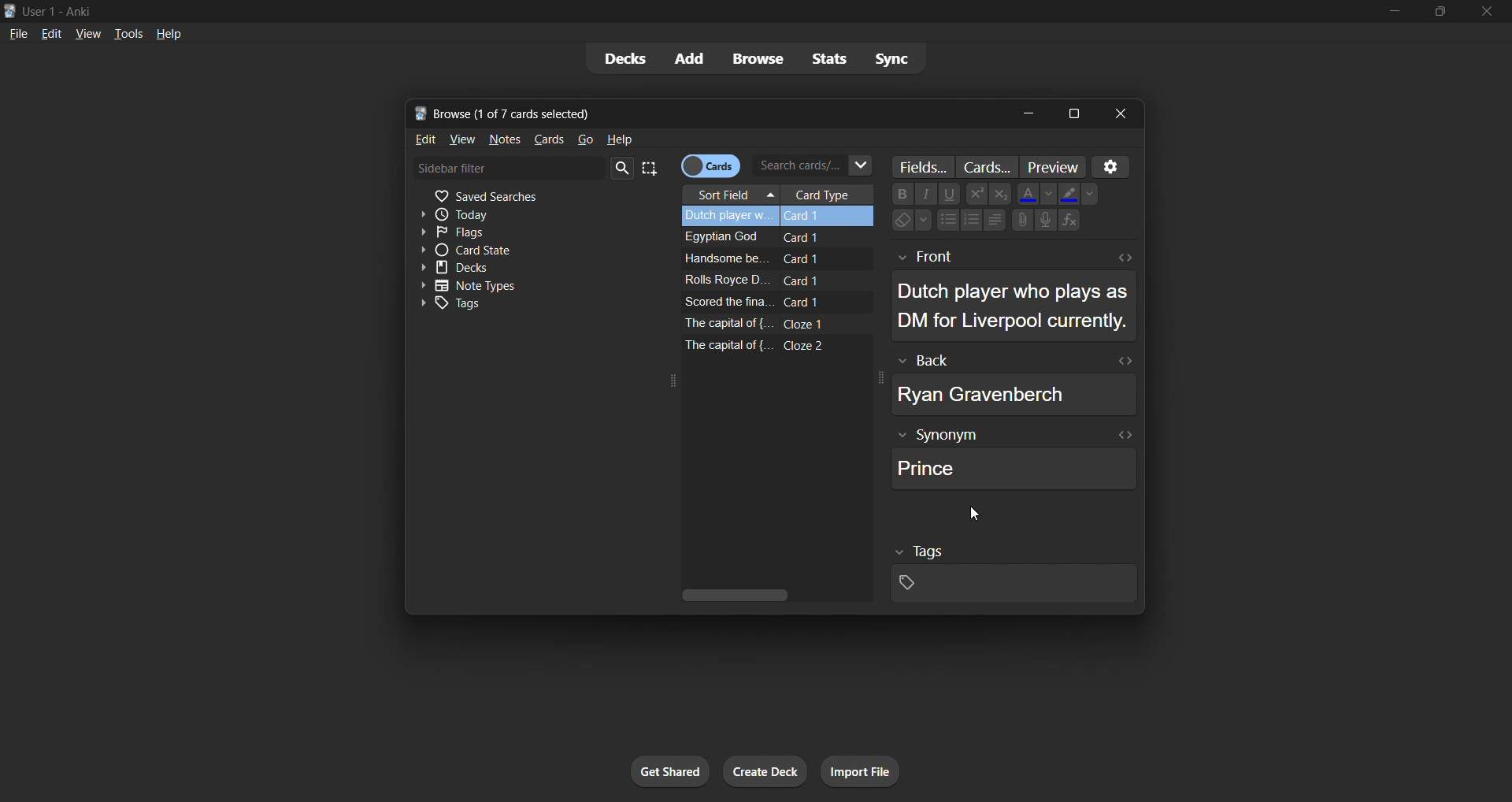  I want to click on selected card tags, so click(1018, 577).